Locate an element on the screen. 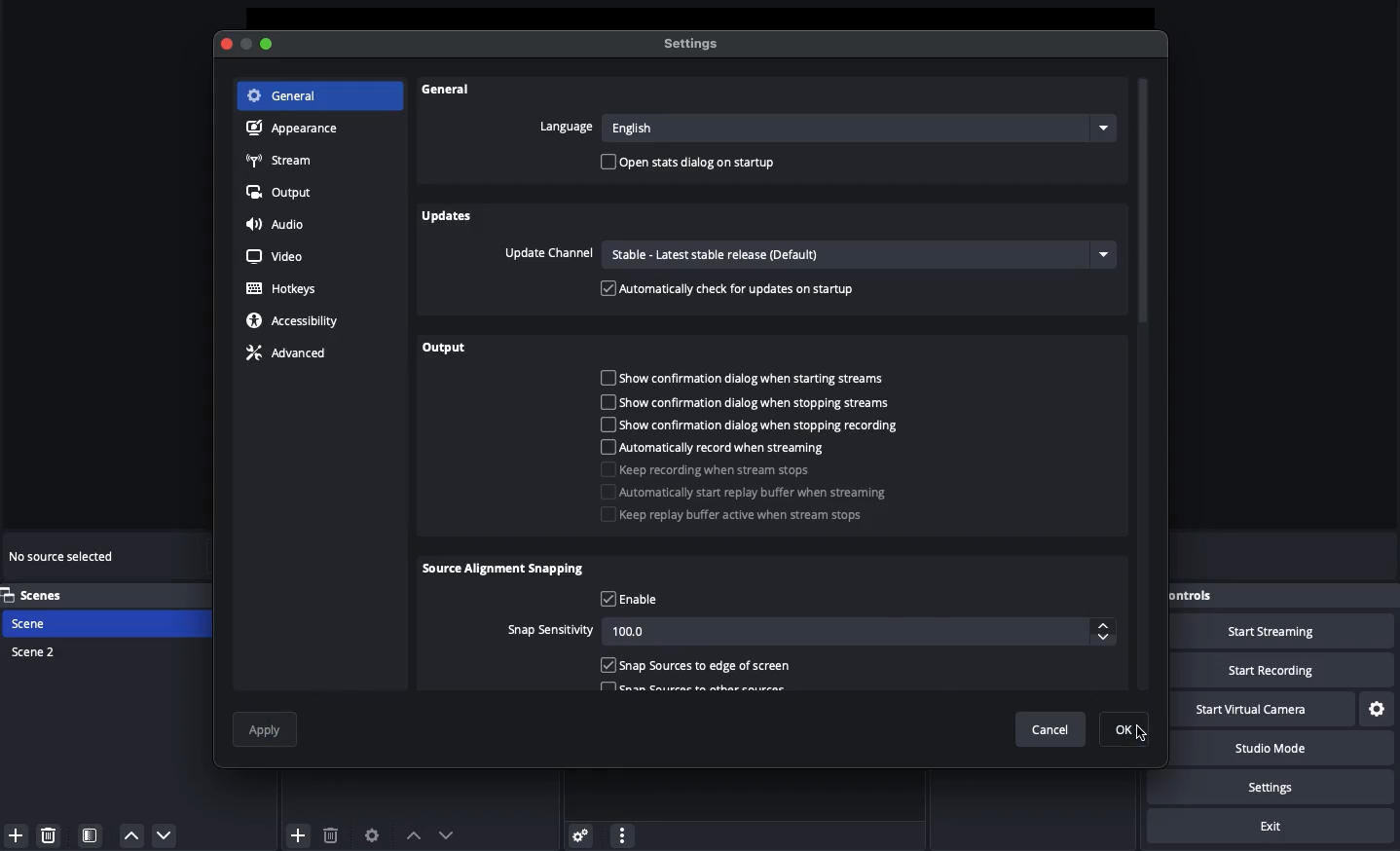 This screenshot has height=851, width=1400. Audio is located at coordinates (282, 226).